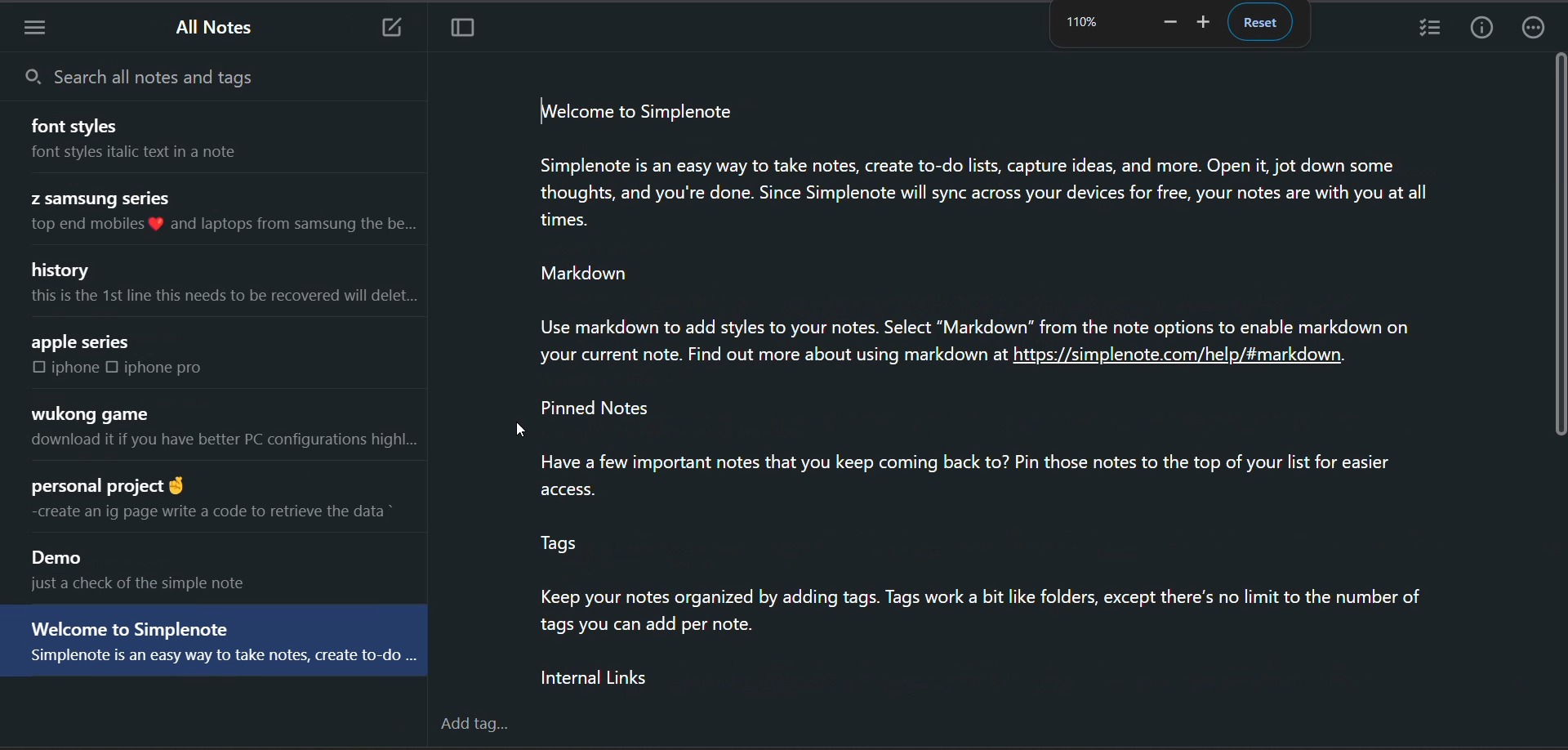 The width and height of the screenshot is (1568, 750). Describe the element at coordinates (78, 370) in the screenshot. I see `iphone` at that location.